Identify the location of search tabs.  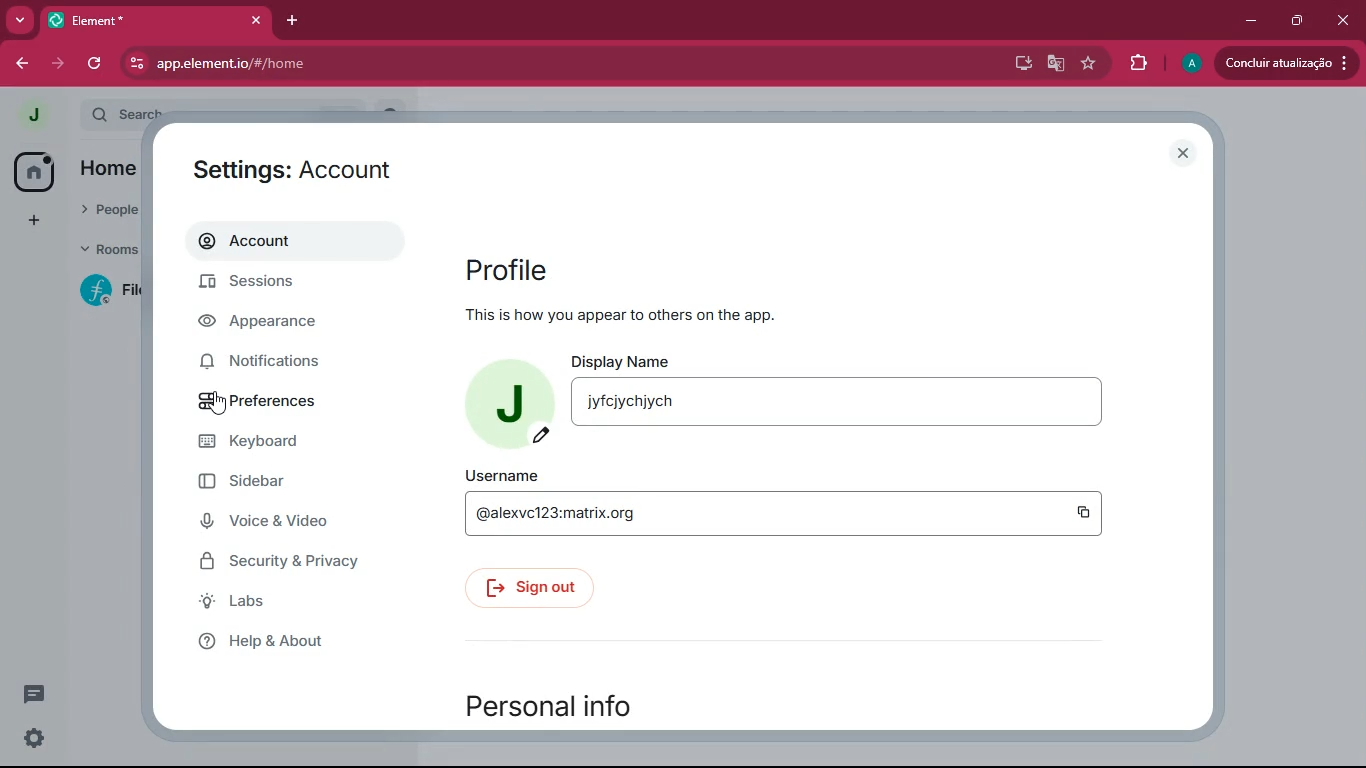
(20, 21).